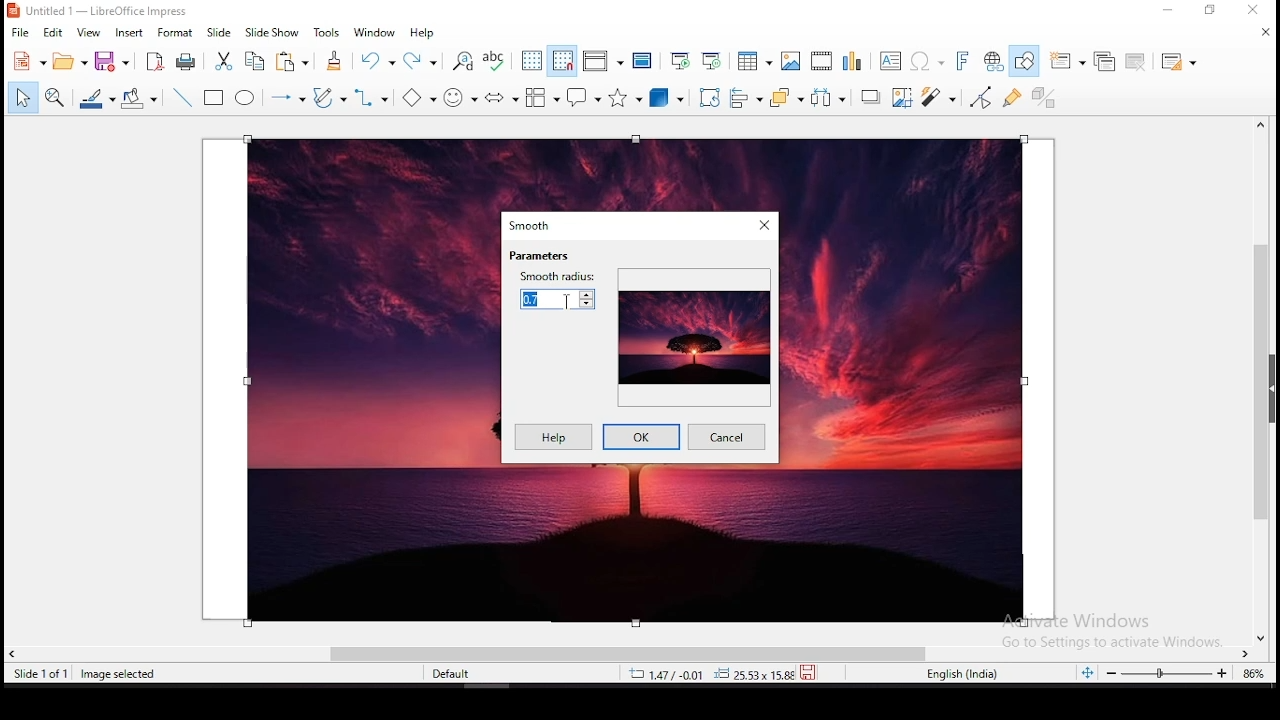 This screenshot has height=720, width=1280. I want to click on export directly as pdf, so click(152, 62).